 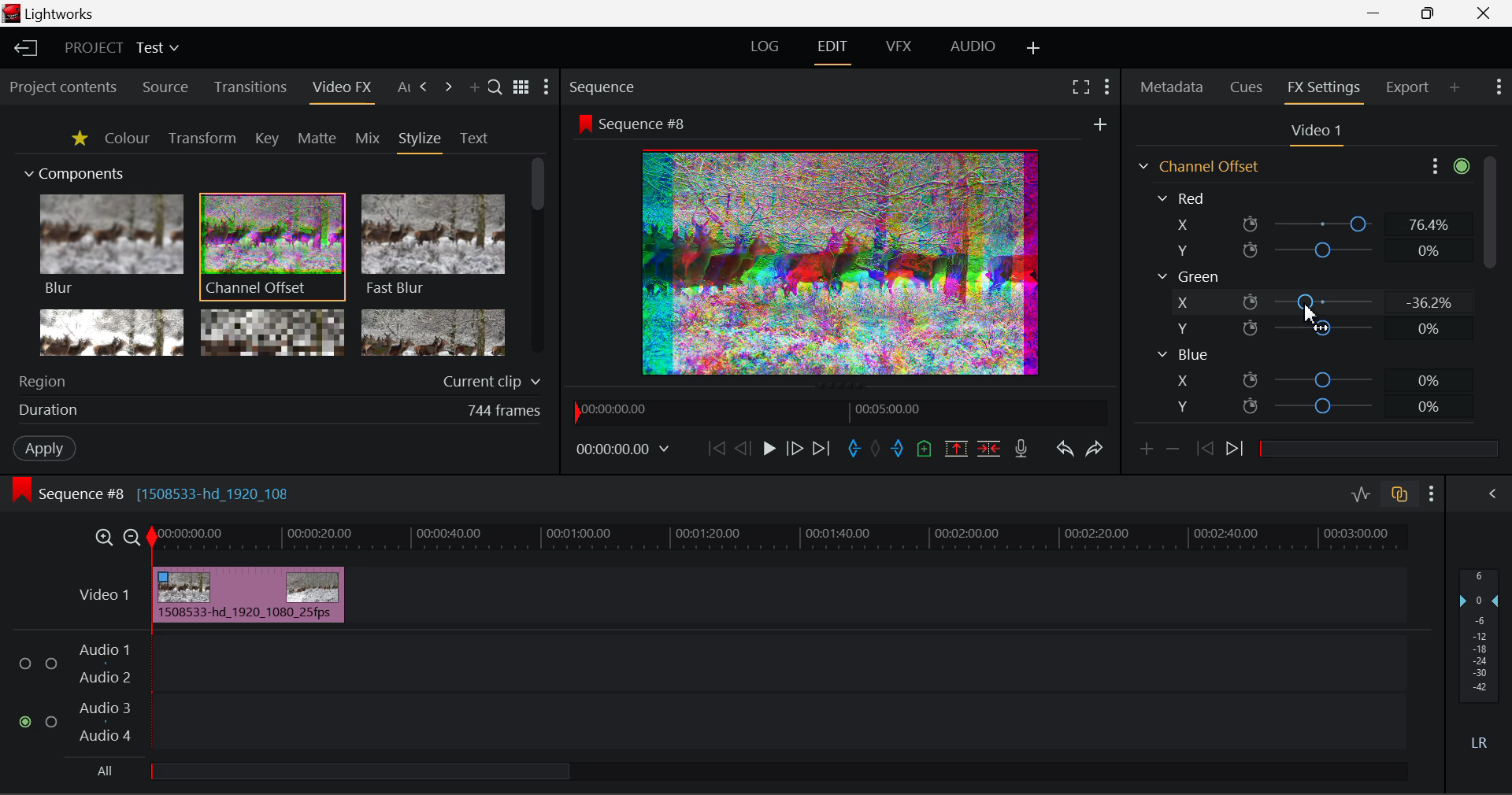 What do you see at coordinates (852, 260) in the screenshot?
I see `Preview Altered` at bounding box center [852, 260].